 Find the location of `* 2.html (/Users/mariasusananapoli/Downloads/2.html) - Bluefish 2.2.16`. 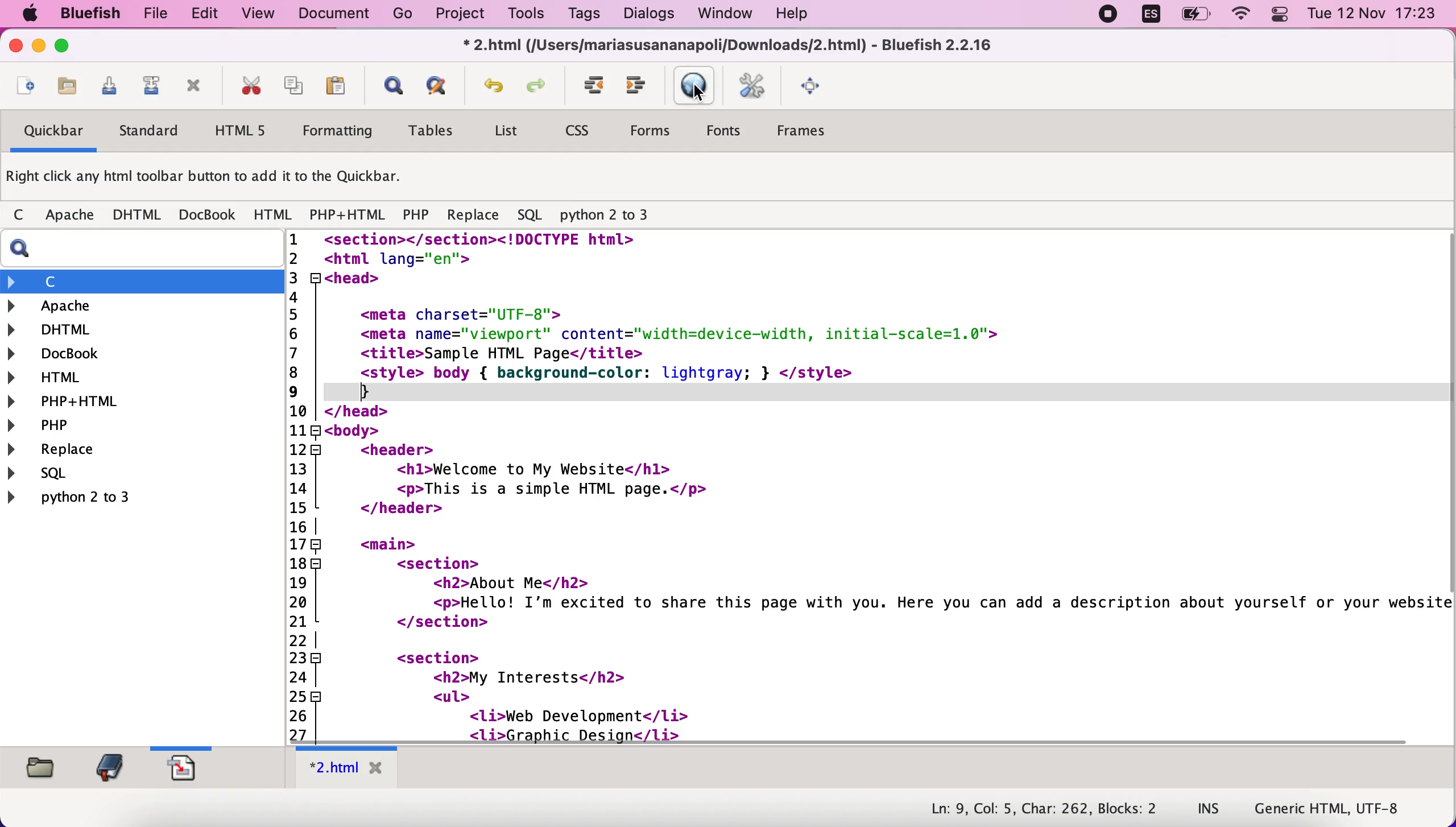

* 2.html (/Users/mariasusananapoli/Downloads/2.html) - Bluefish 2.2.16 is located at coordinates (731, 47).